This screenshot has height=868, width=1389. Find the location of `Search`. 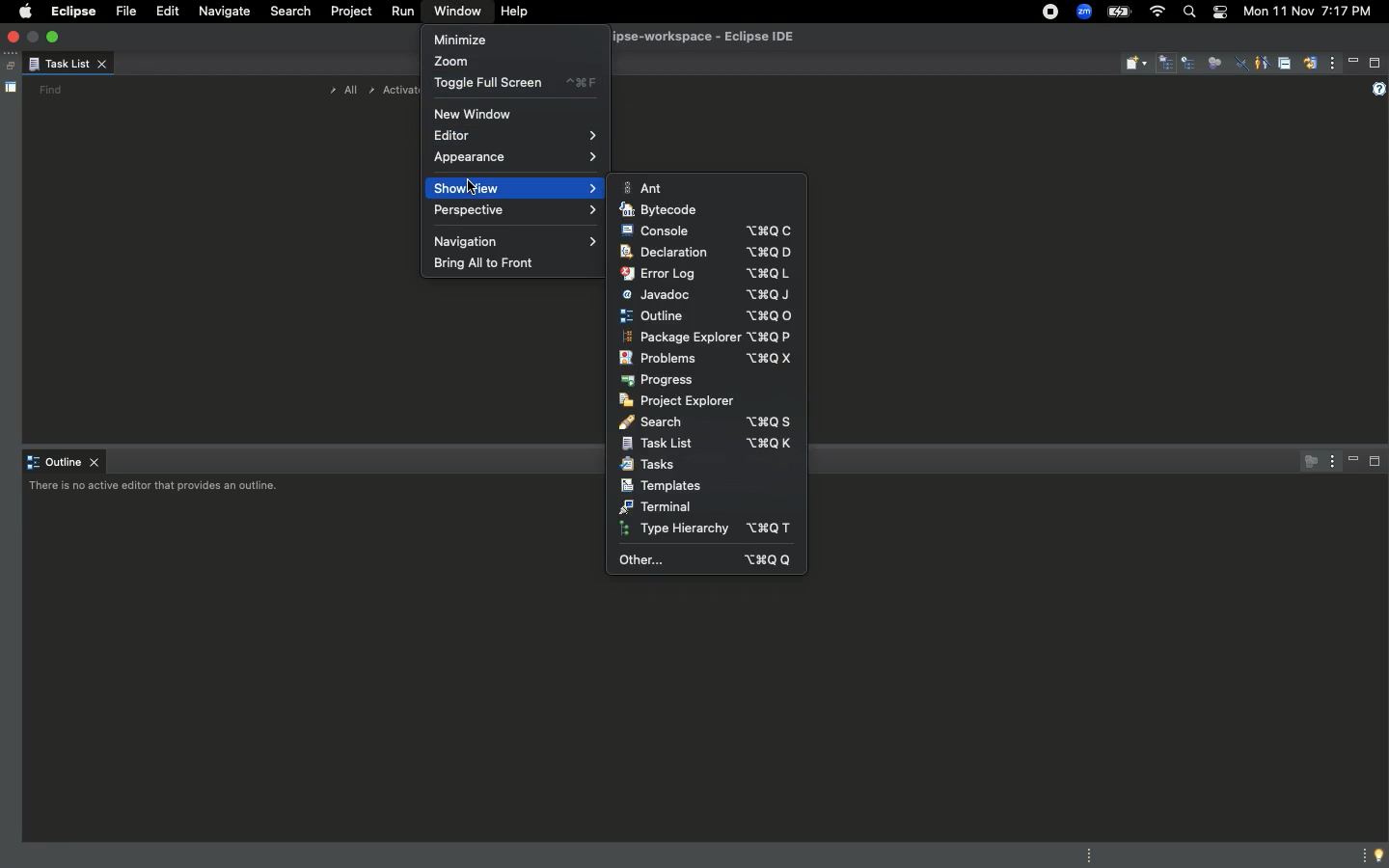

Search is located at coordinates (704, 422).